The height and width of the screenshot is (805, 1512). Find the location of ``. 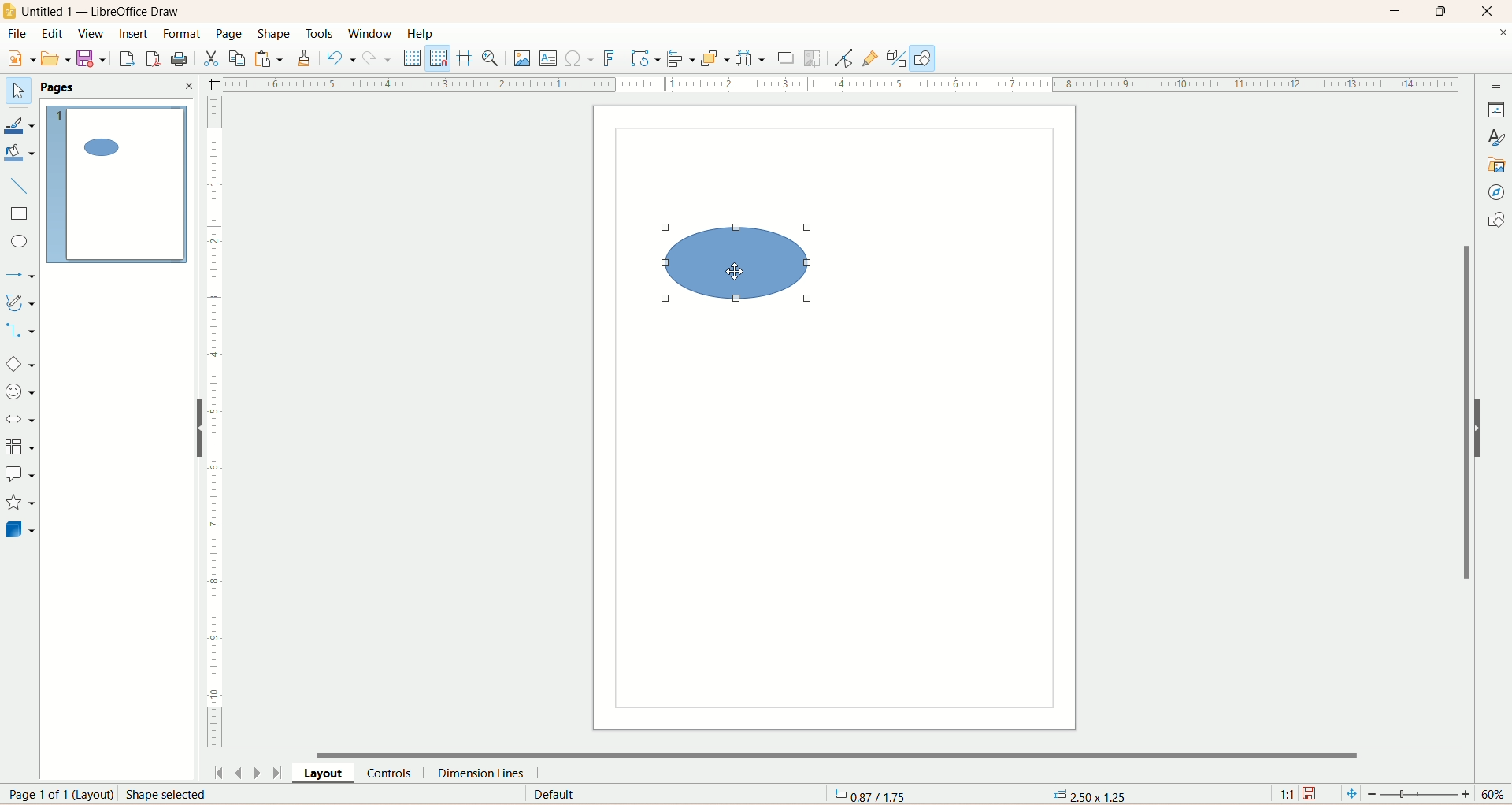

 is located at coordinates (522, 58).